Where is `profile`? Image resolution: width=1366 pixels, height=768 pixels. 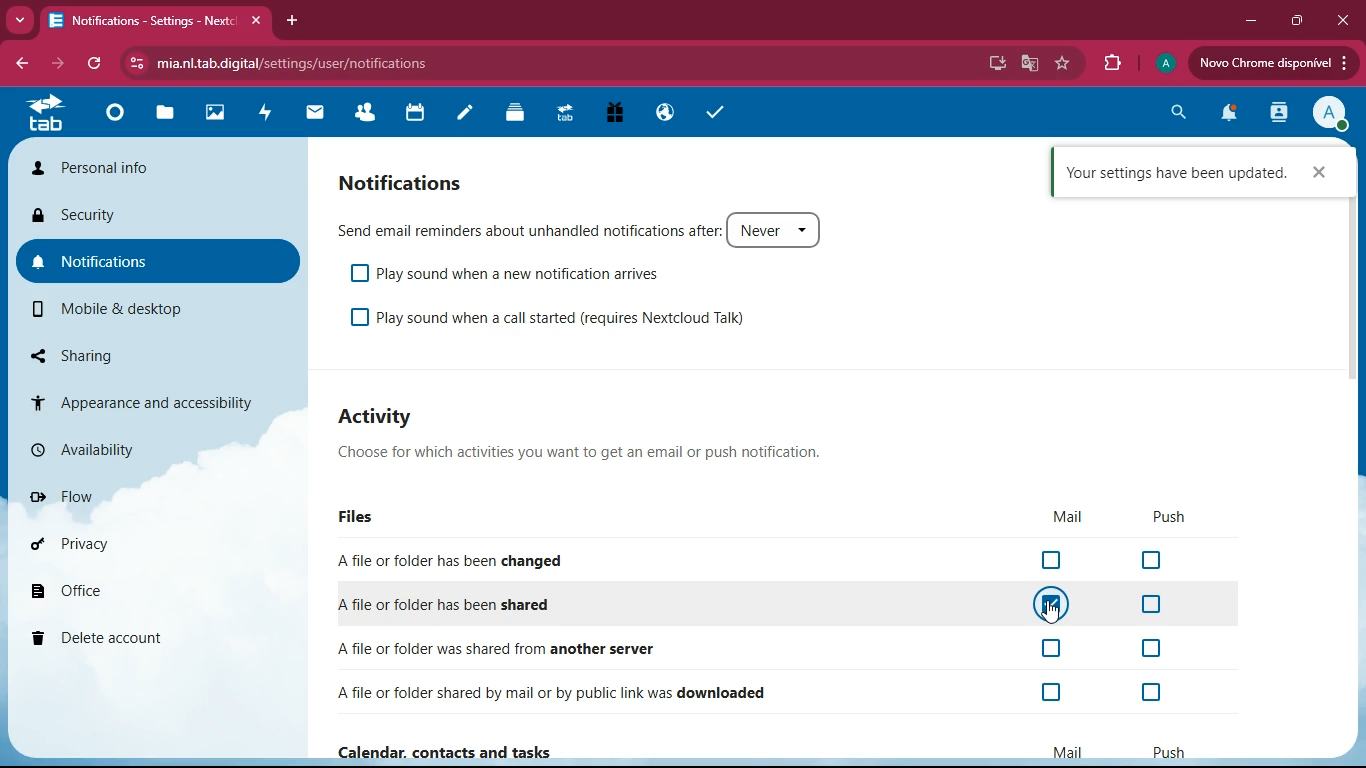
profile is located at coordinates (1168, 62).